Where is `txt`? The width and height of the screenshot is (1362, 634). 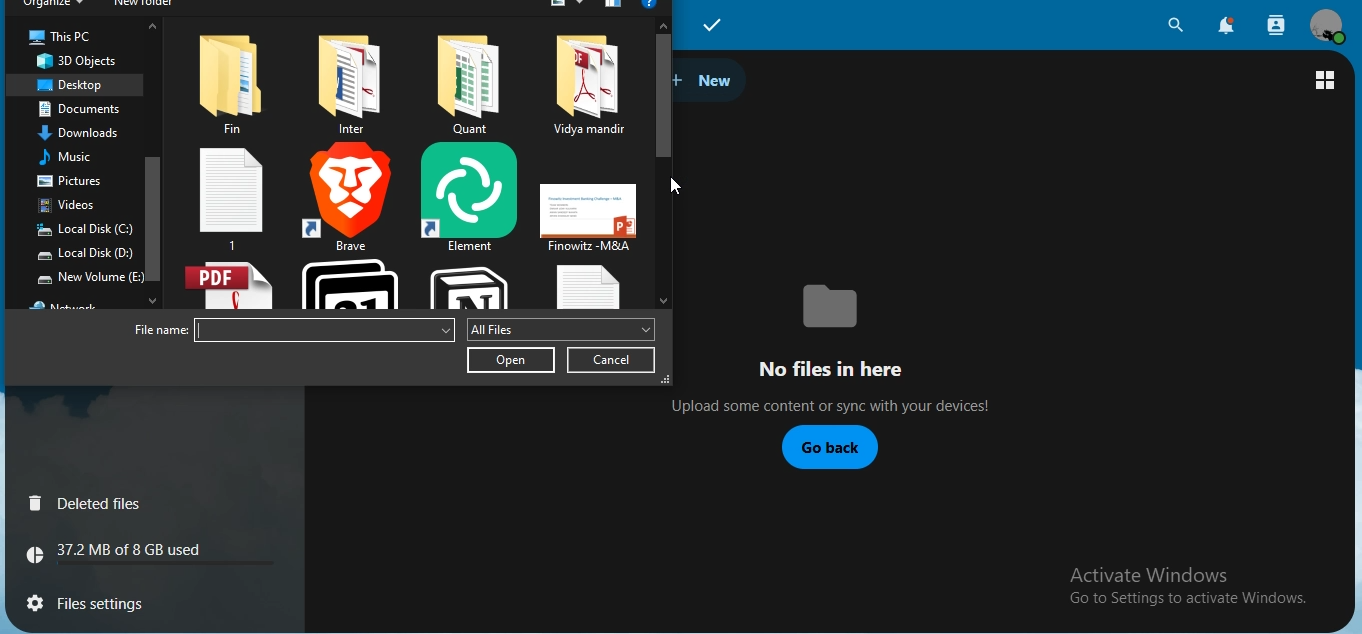
txt is located at coordinates (582, 287).